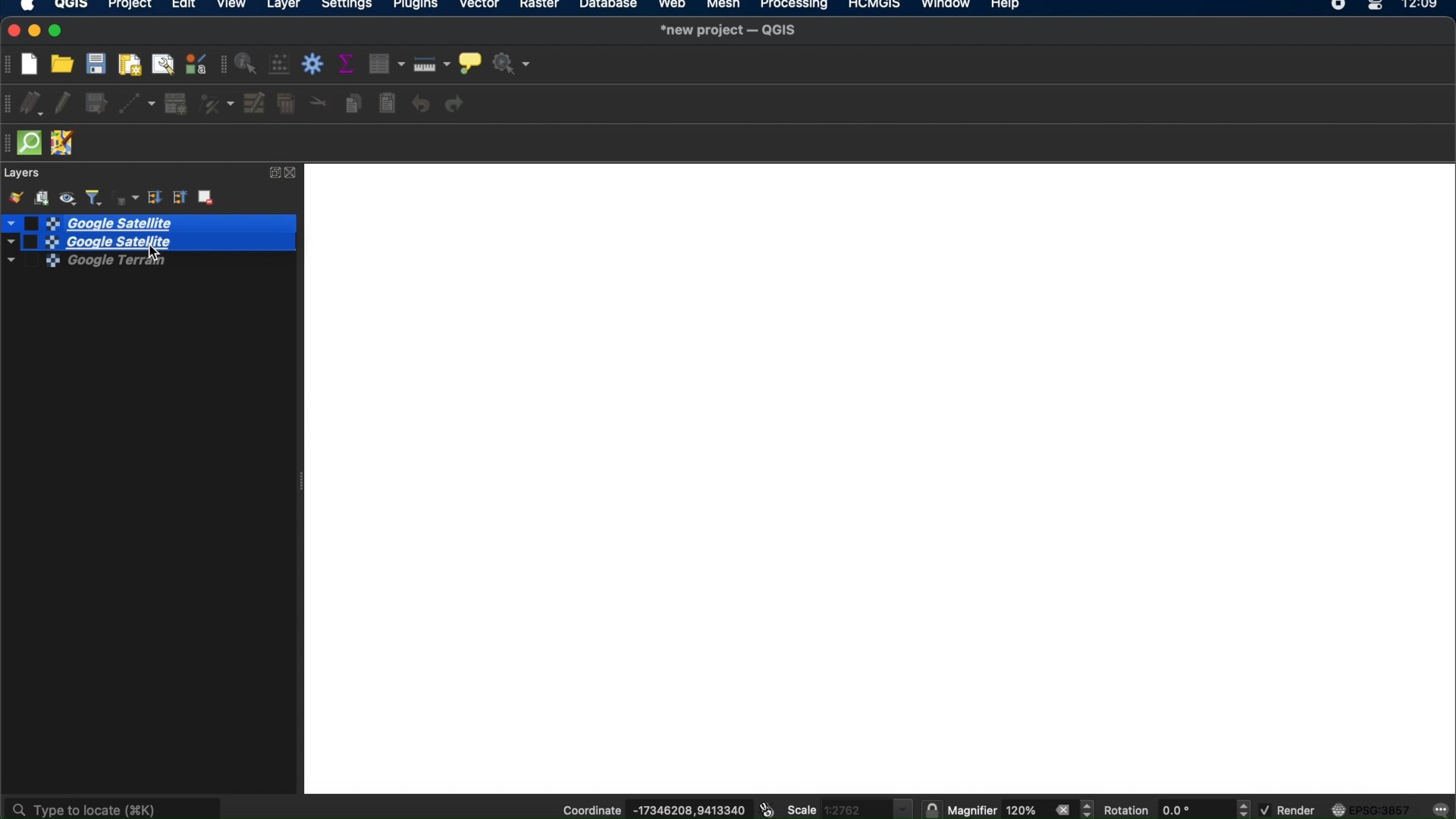  I want to click on show layout manager, so click(165, 64).